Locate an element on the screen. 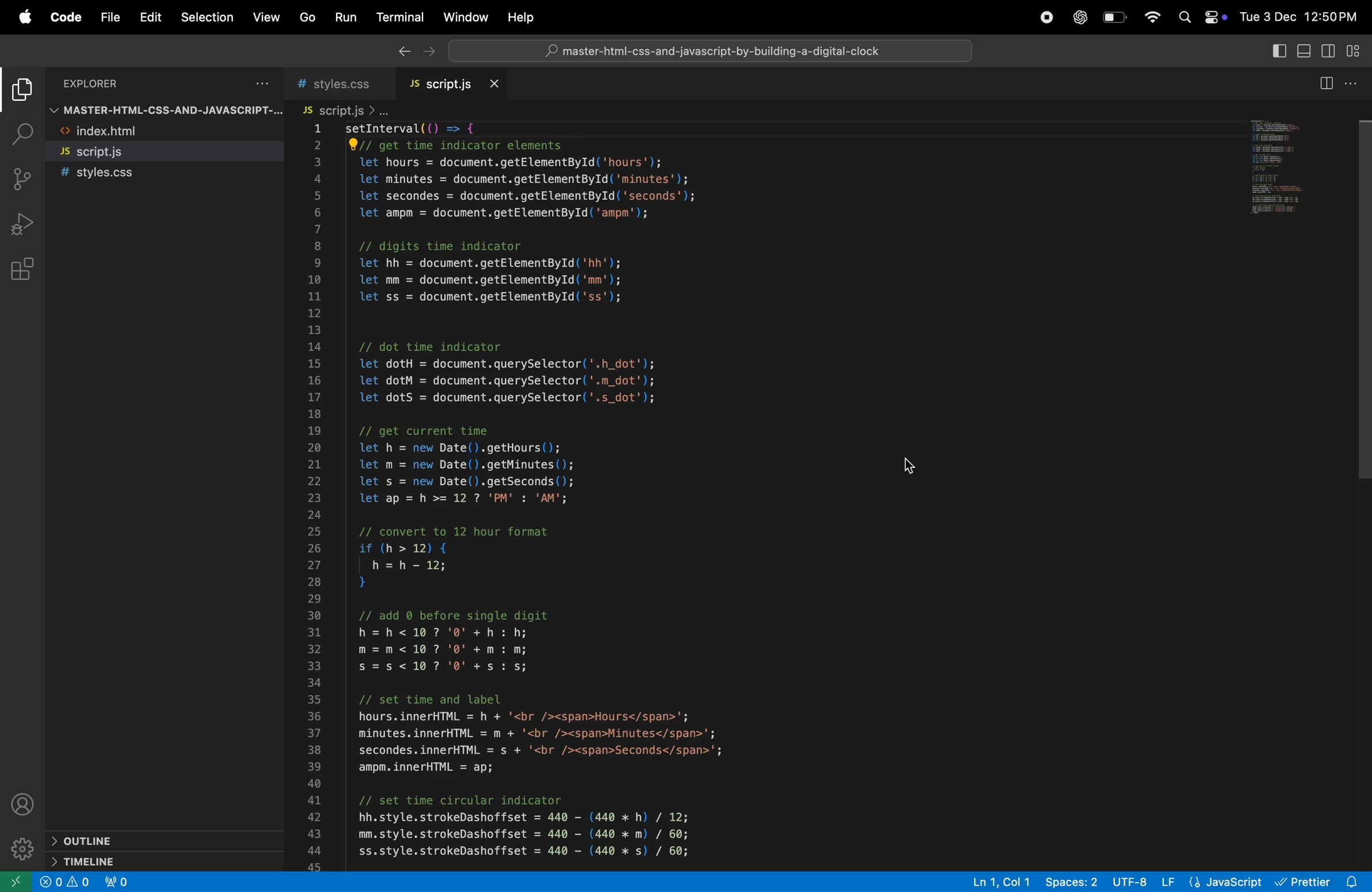 Image resolution: width=1372 pixels, height=892 pixels. script.js is located at coordinates (457, 85).